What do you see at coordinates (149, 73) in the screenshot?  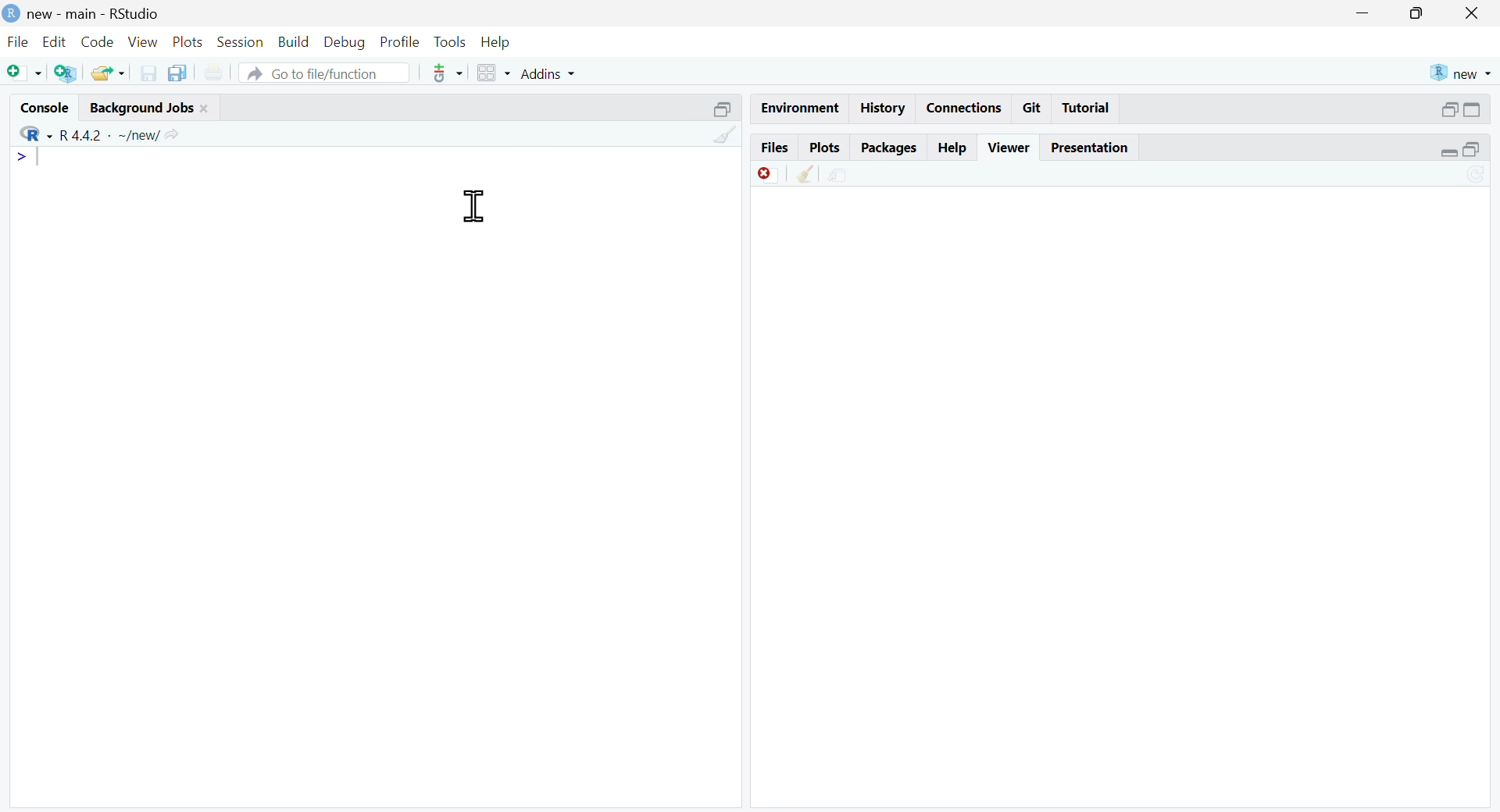 I see `save` at bounding box center [149, 73].